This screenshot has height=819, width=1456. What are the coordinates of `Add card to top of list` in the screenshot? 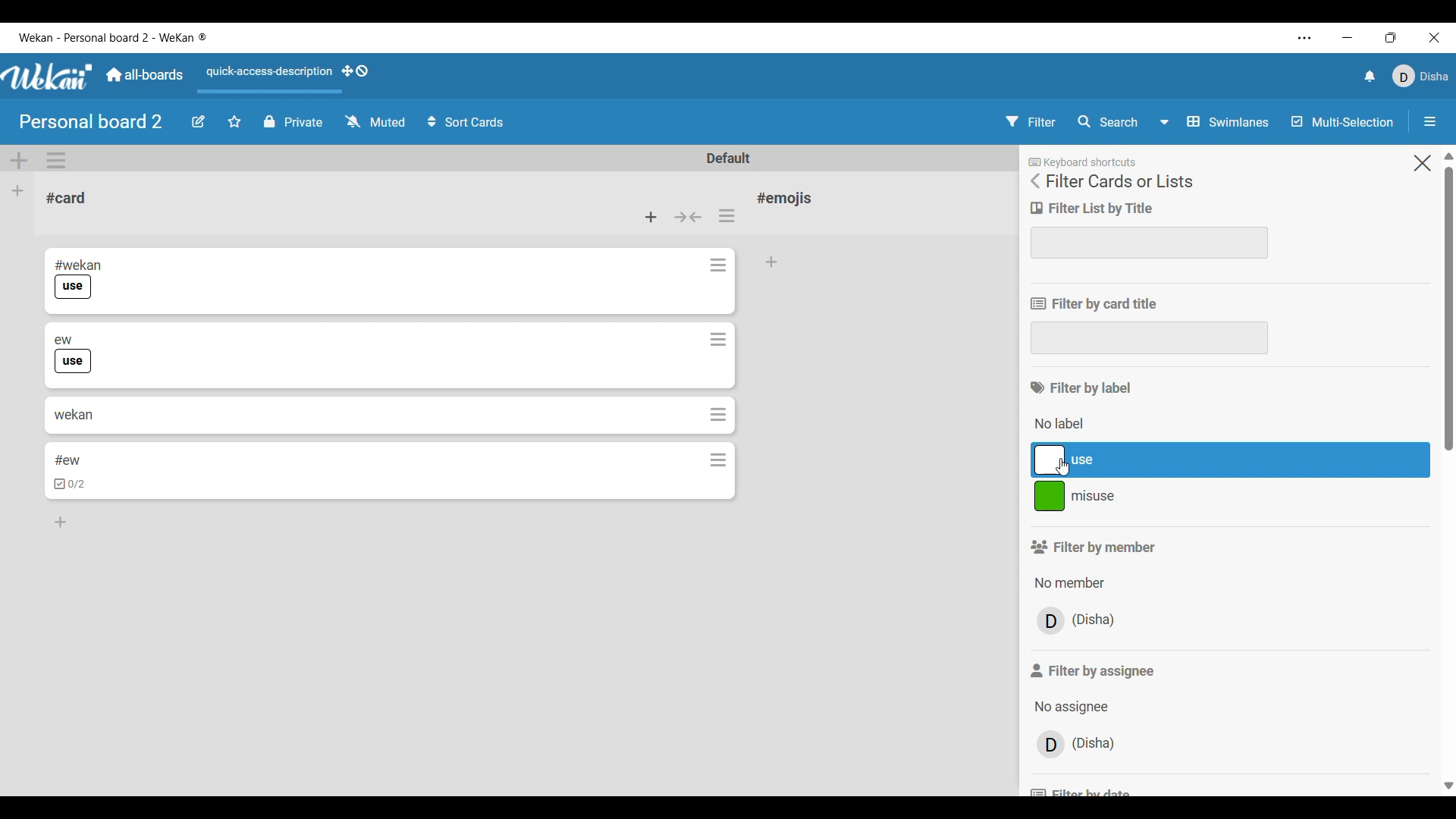 It's located at (651, 217).